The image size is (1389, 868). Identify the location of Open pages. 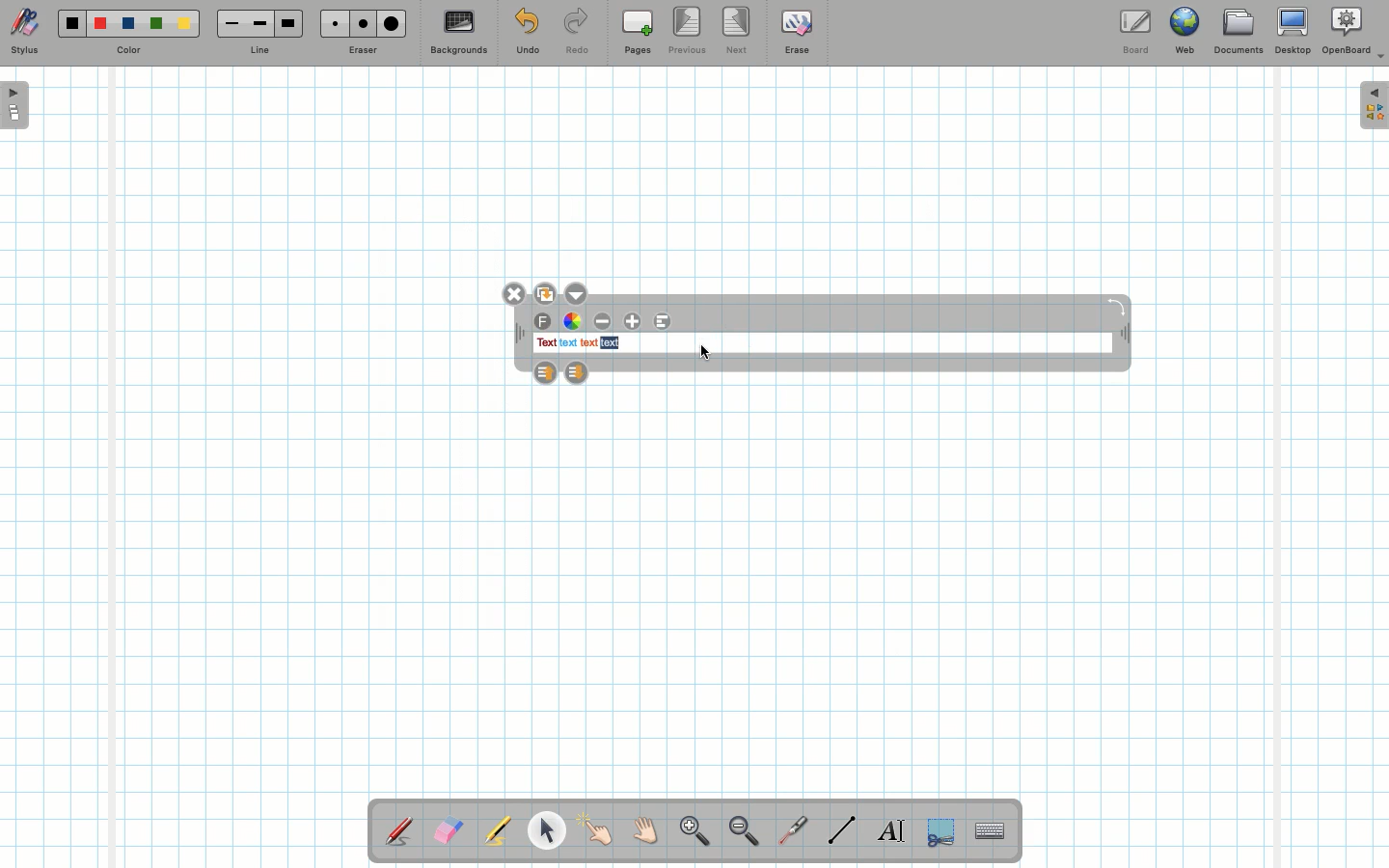
(16, 104).